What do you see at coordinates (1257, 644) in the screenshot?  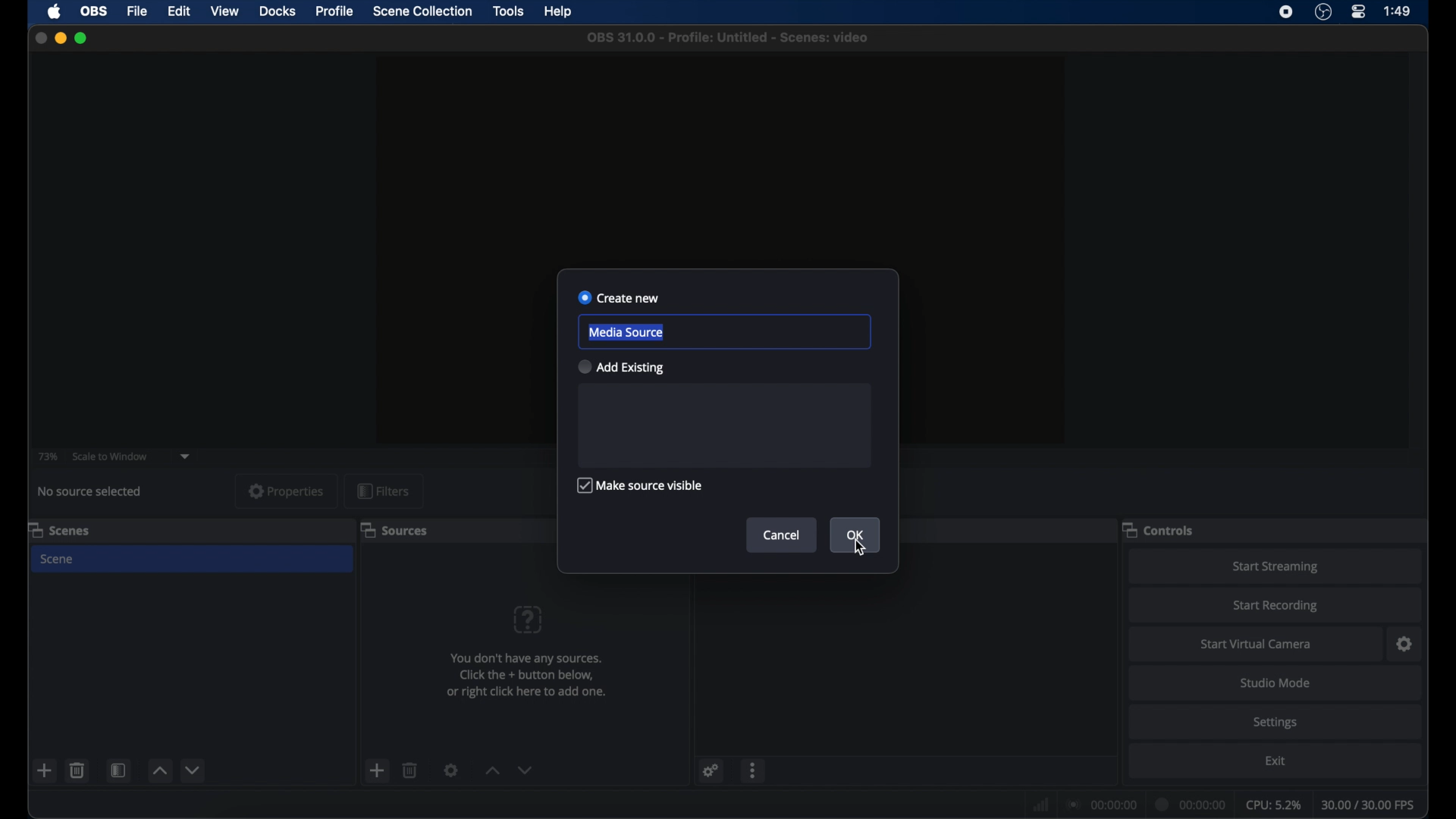 I see `start virtual camera` at bounding box center [1257, 644].